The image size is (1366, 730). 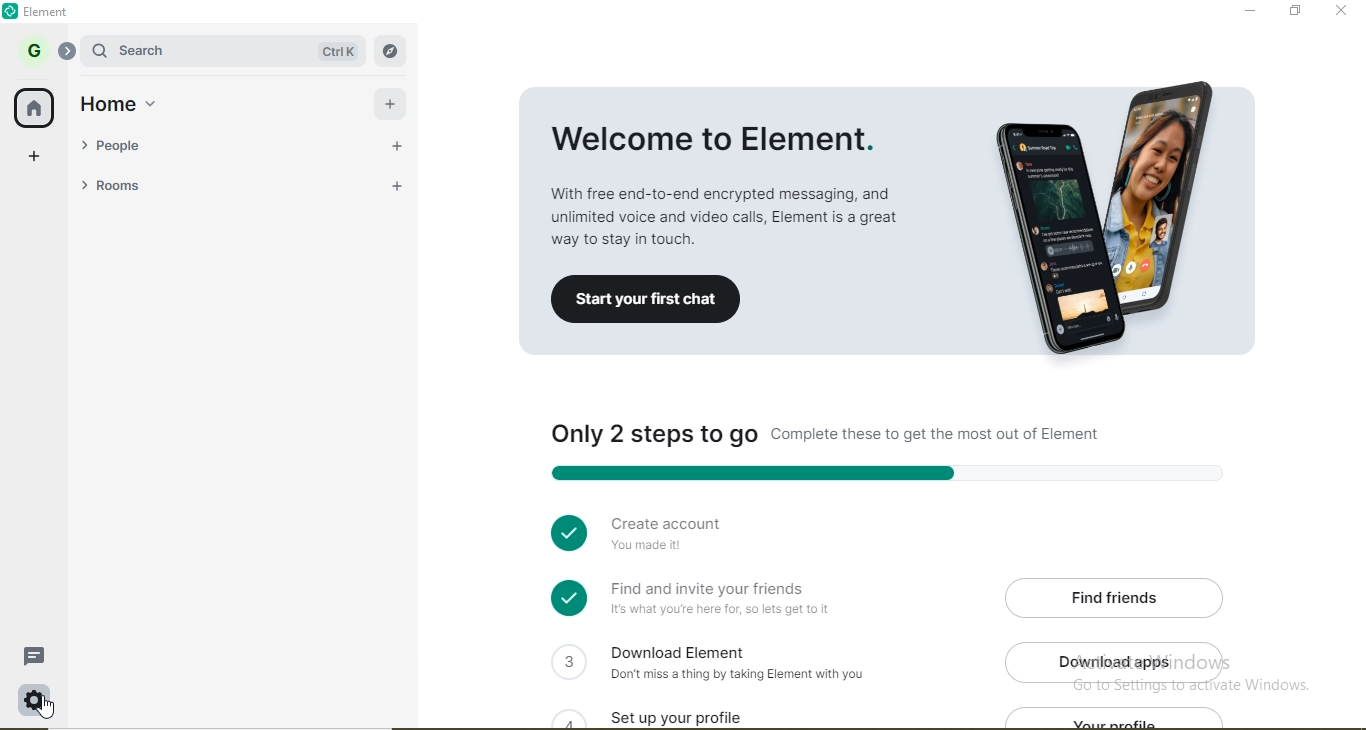 What do you see at coordinates (165, 186) in the screenshot?
I see `Rooms` at bounding box center [165, 186].